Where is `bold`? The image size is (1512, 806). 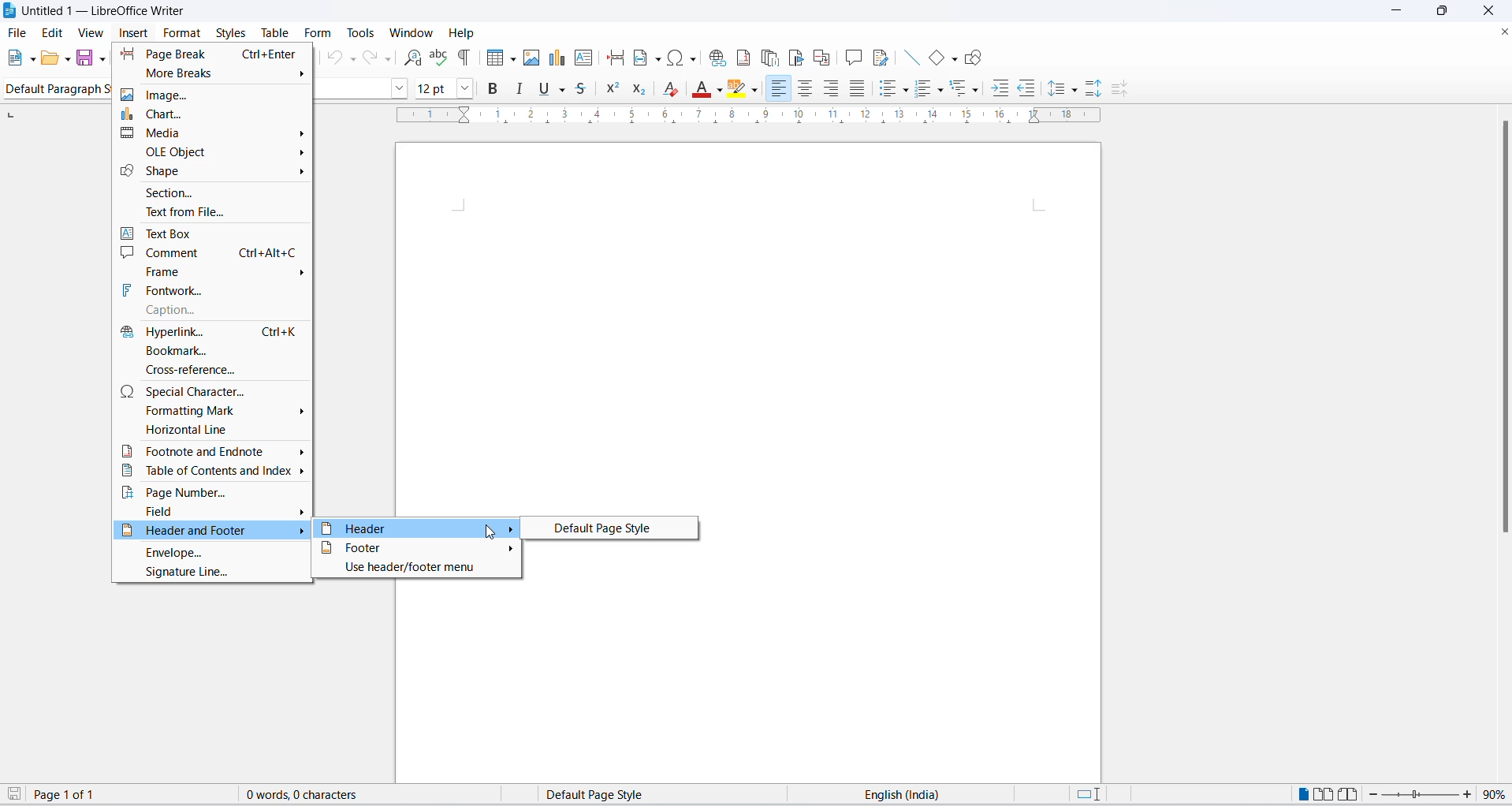 bold is located at coordinates (496, 91).